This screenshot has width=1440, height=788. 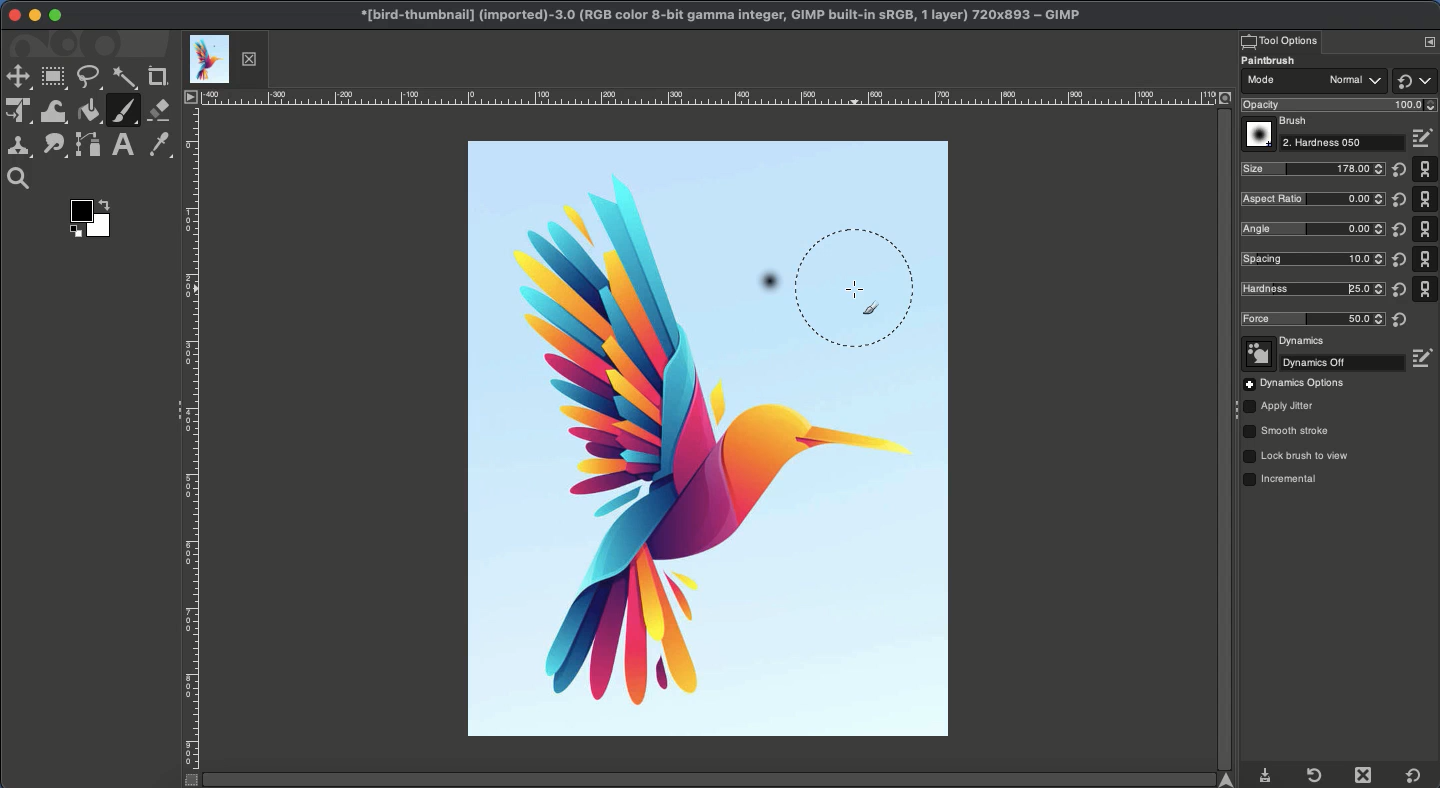 What do you see at coordinates (1344, 143) in the screenshot?
I see `Hardness` at bounding box center [1344, 143].